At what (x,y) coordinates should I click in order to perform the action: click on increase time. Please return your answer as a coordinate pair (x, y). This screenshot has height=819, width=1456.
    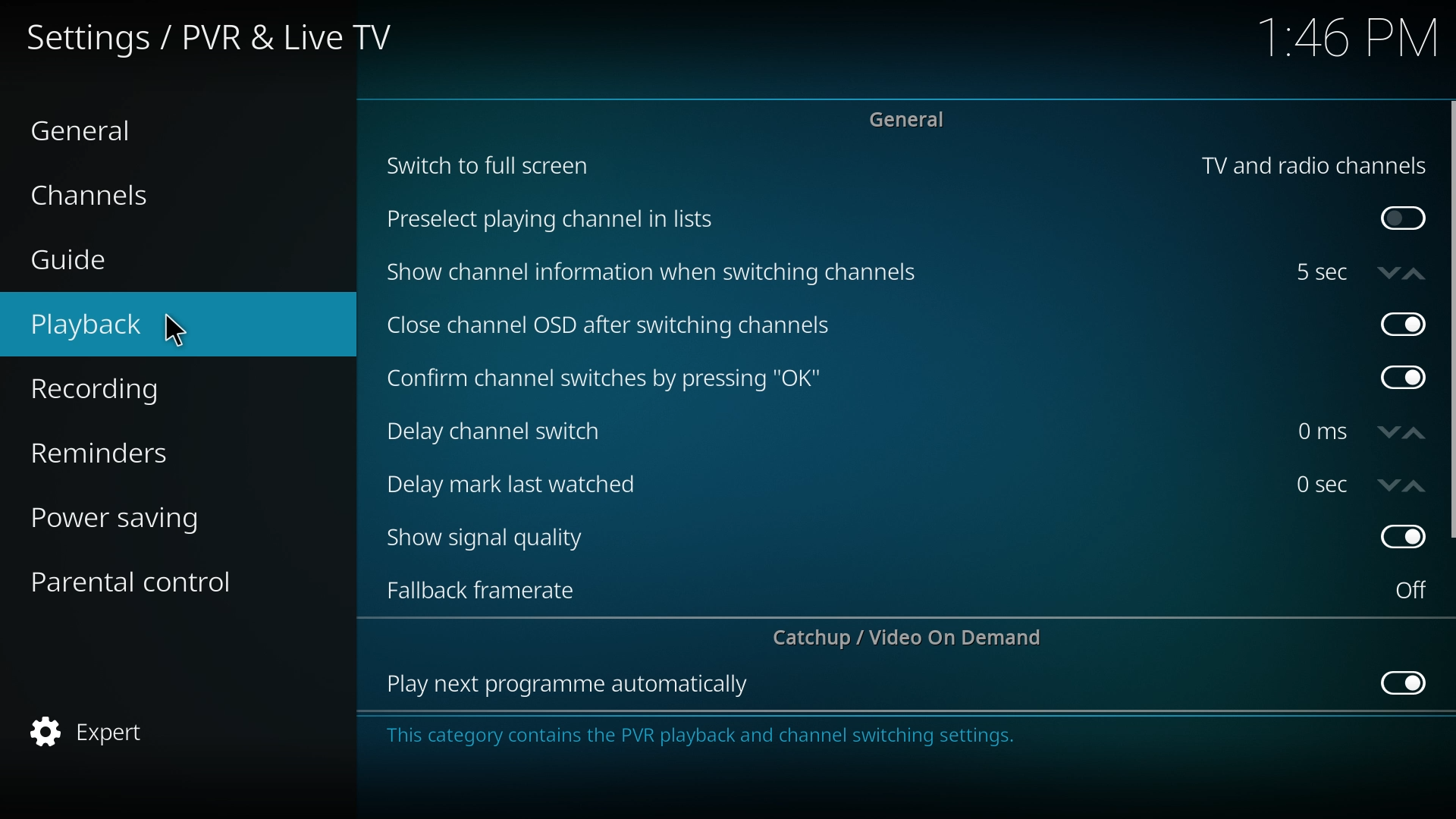
    Looking at the image, I should click on (1415, 487).